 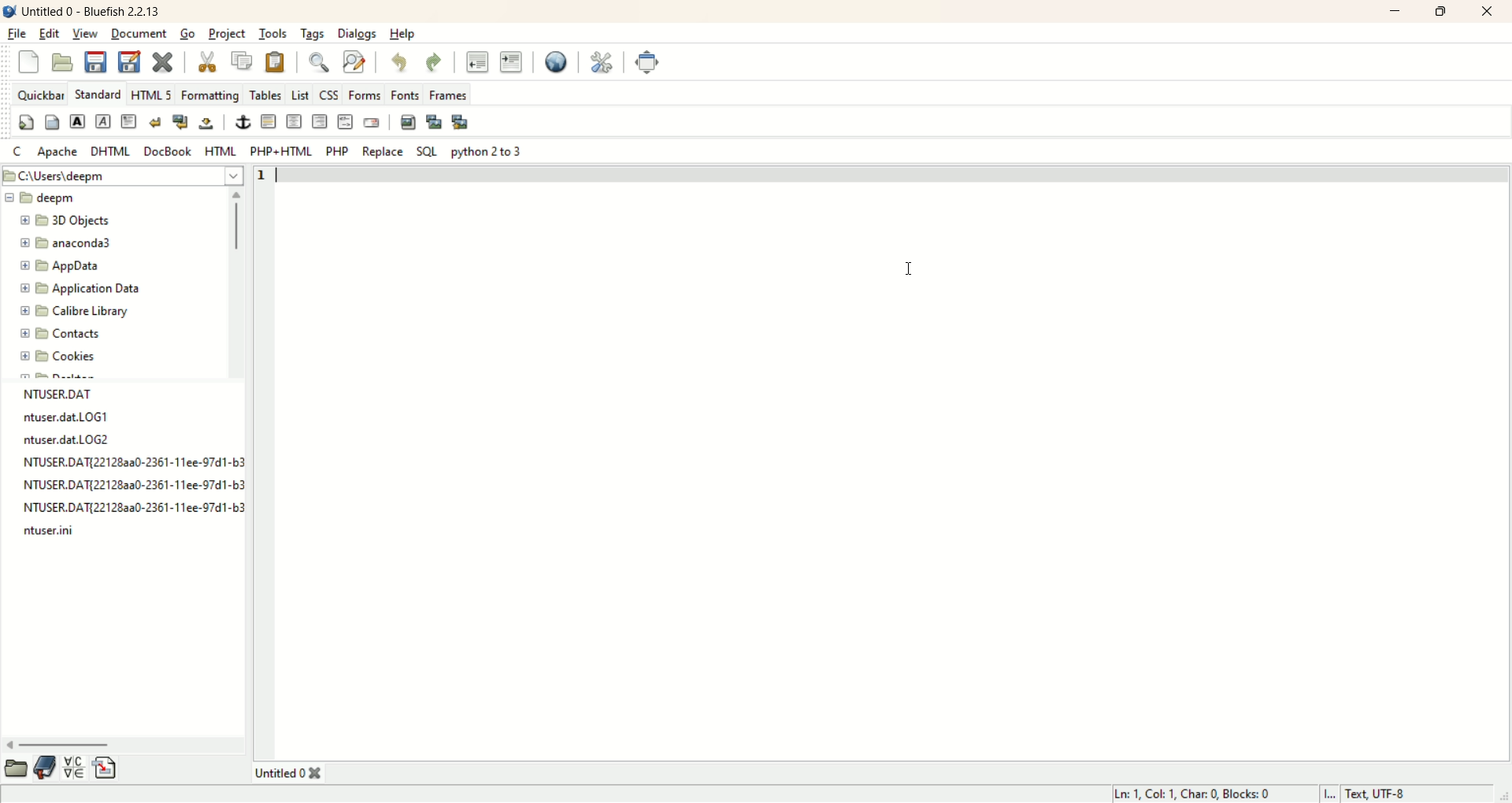 I want to click on PHP+HTML, so click(x=281, y=151).